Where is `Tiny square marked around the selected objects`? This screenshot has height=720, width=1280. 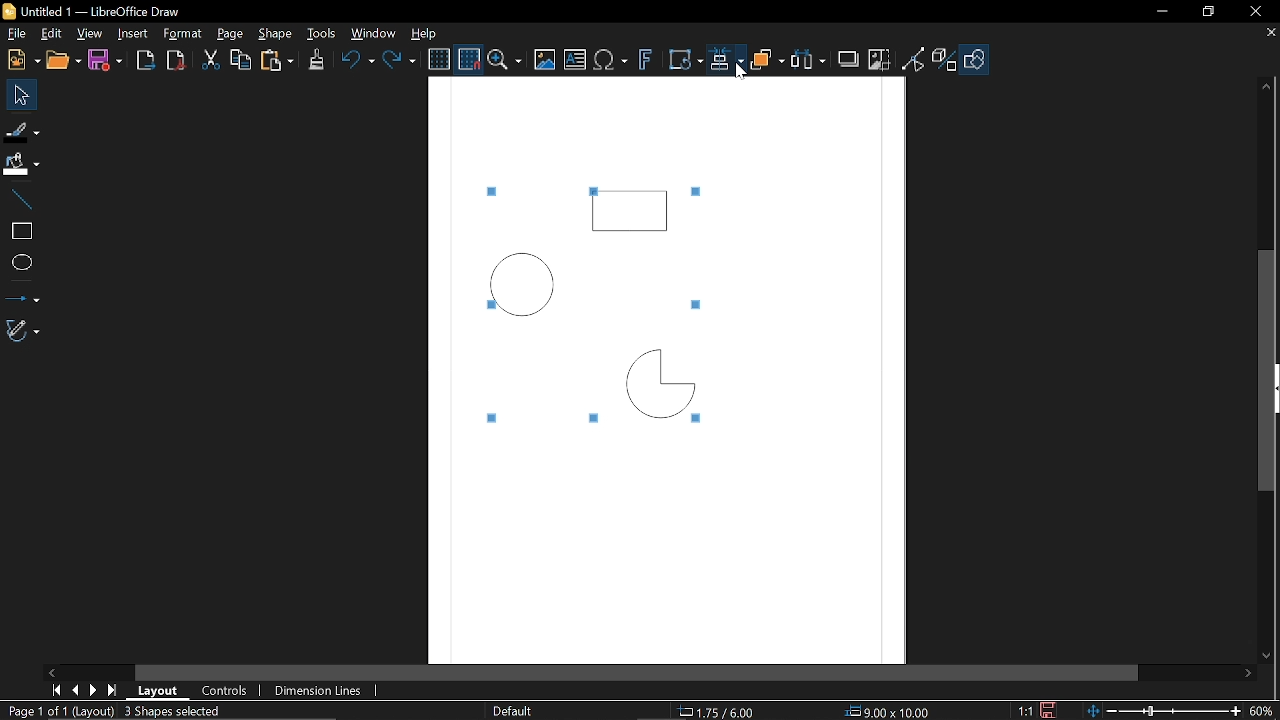 Tiny square marked around the selected objects is located at coordinates (585, 418).